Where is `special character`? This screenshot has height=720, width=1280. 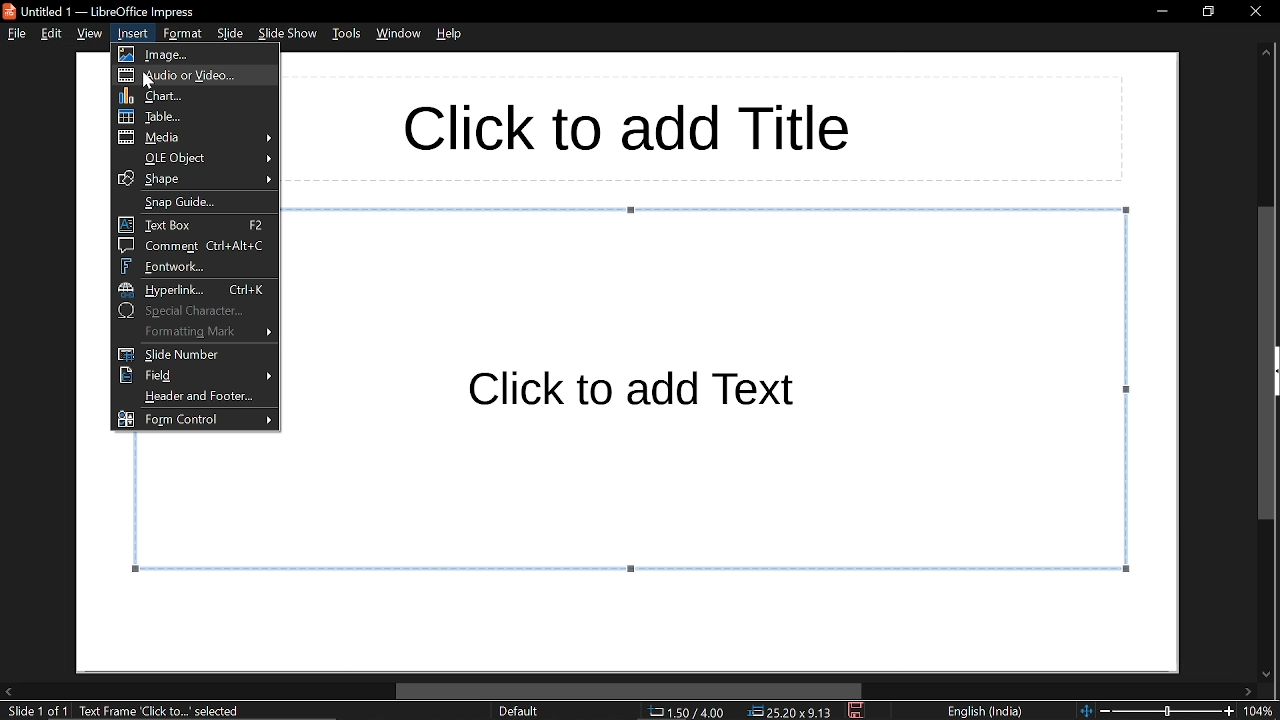
special character is located at coordinates (194, 310).